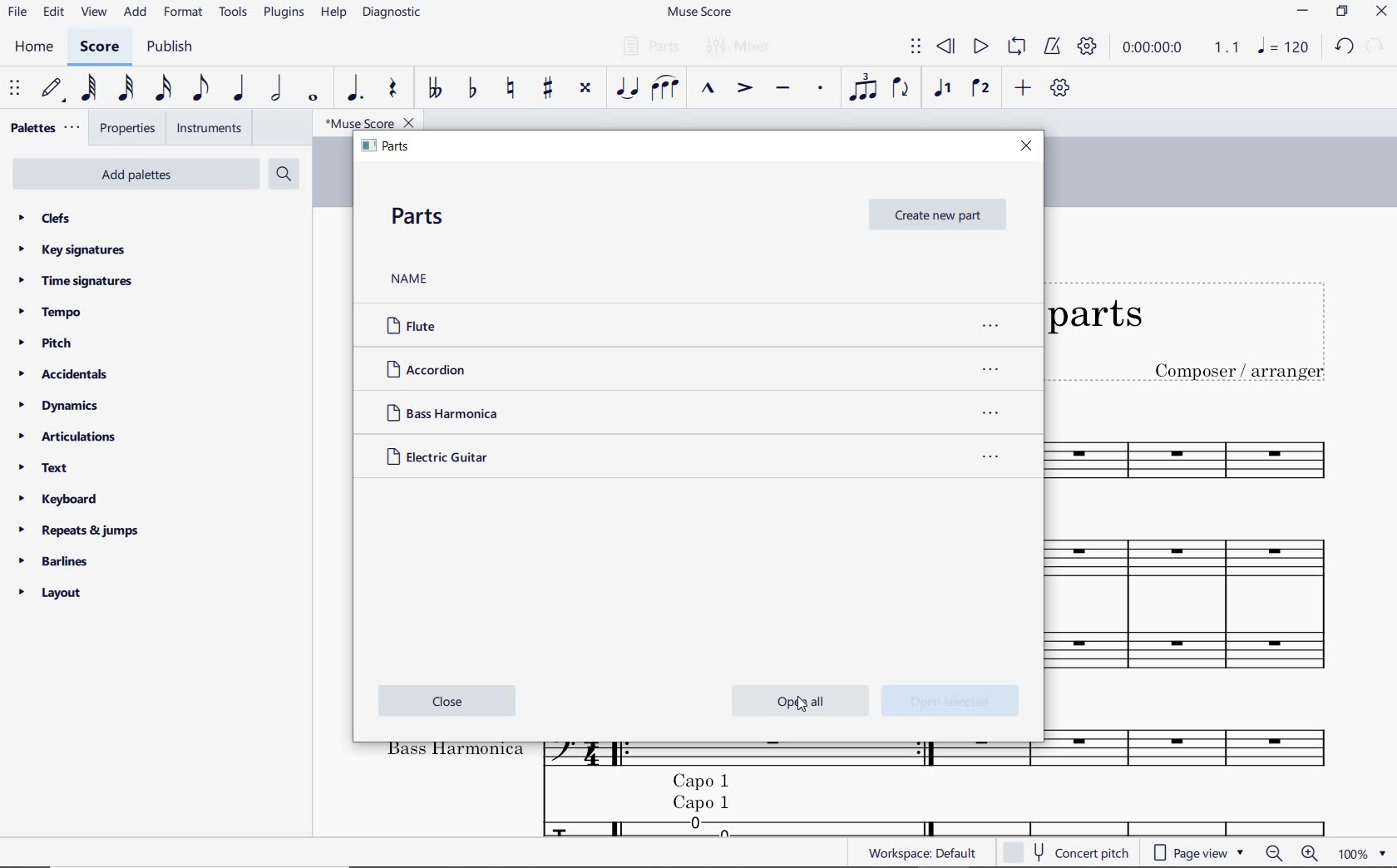 The image size is (1397, 868). What do you see at coordinates (450, 703) in the screenshot?
I see `close` at bounding box center [450, 703].